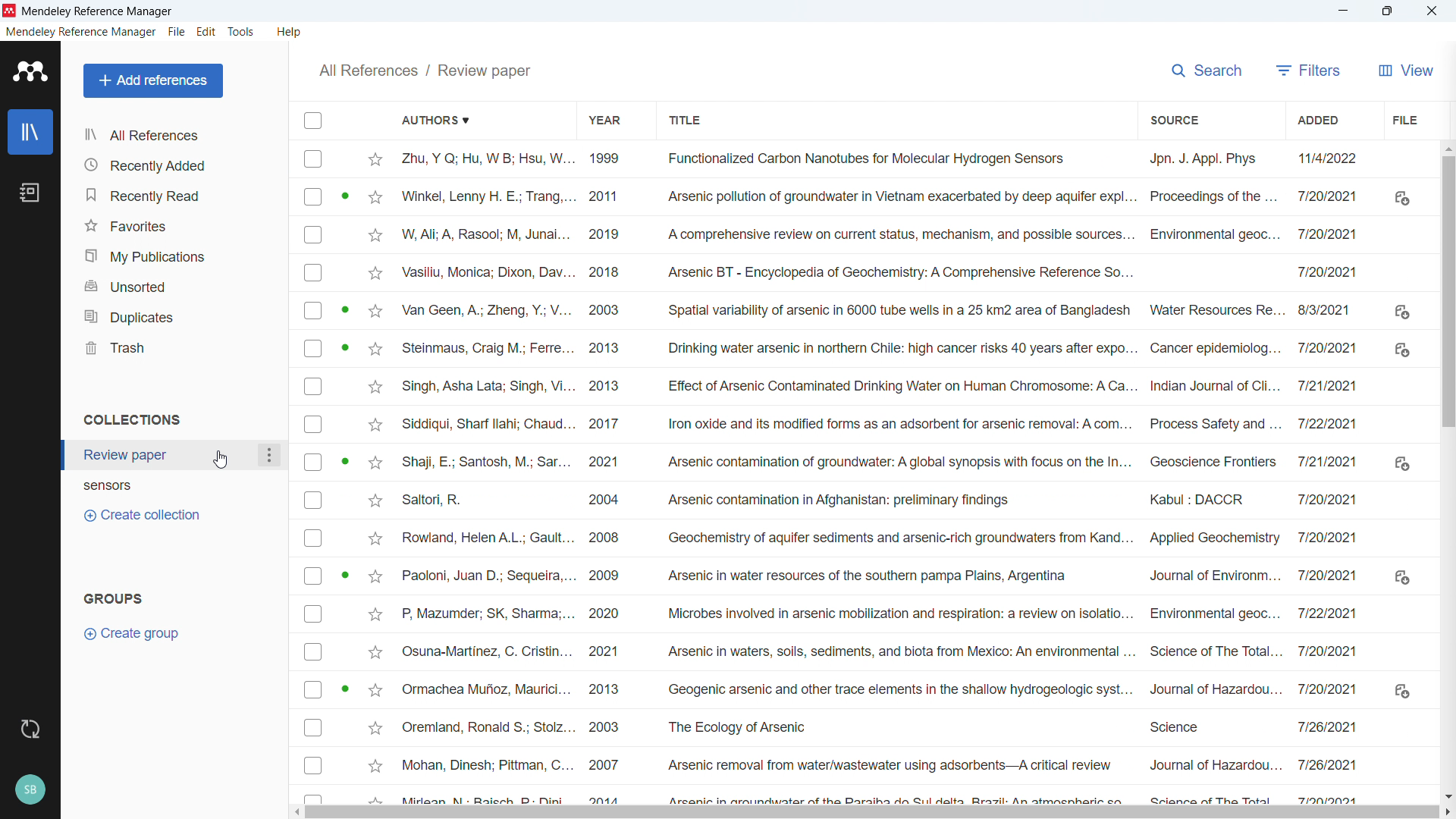  I want to click on Create groups , so click(138, 633).